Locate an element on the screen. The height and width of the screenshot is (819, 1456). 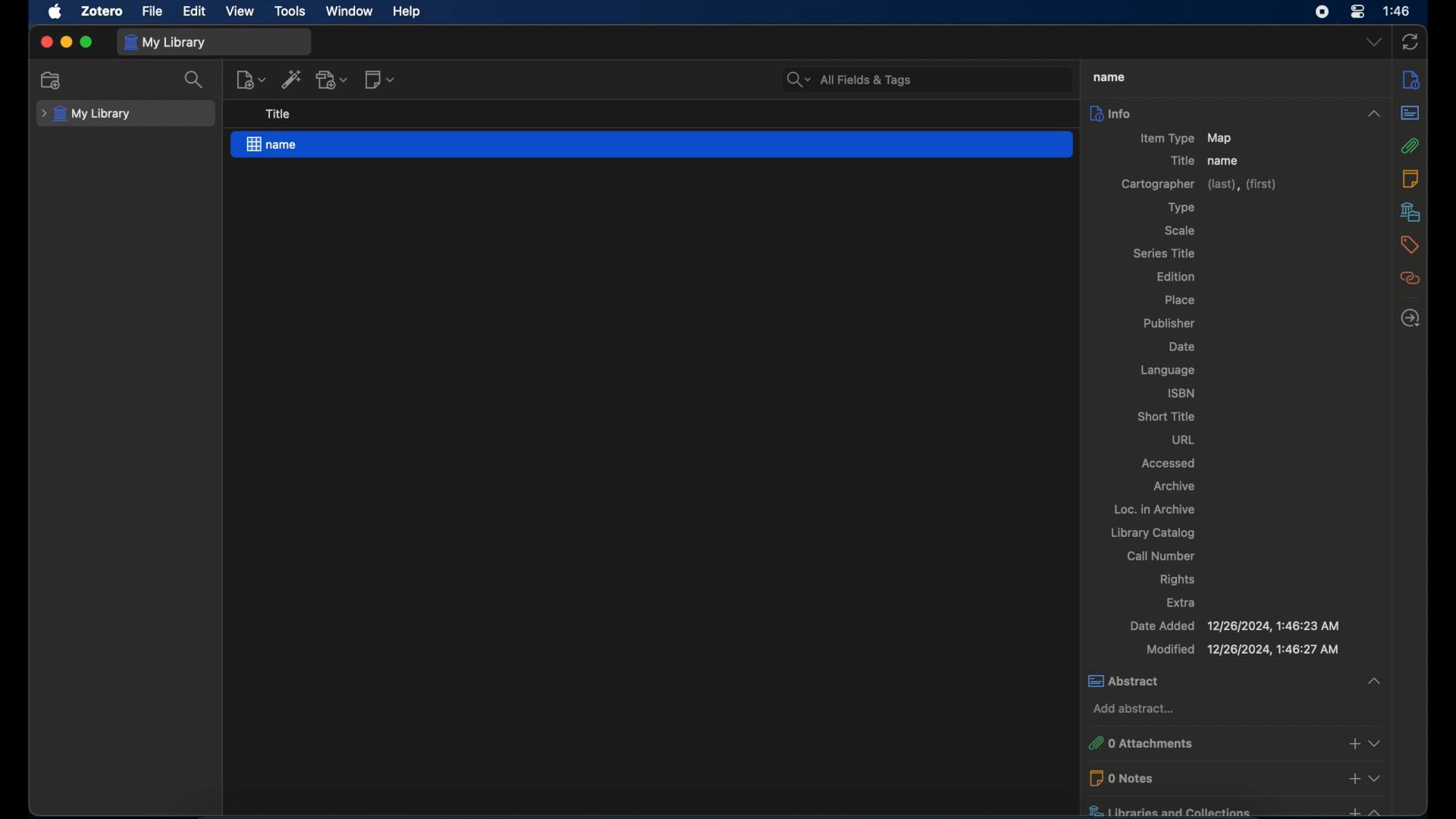
zotero is located at coordinates (102, 11).